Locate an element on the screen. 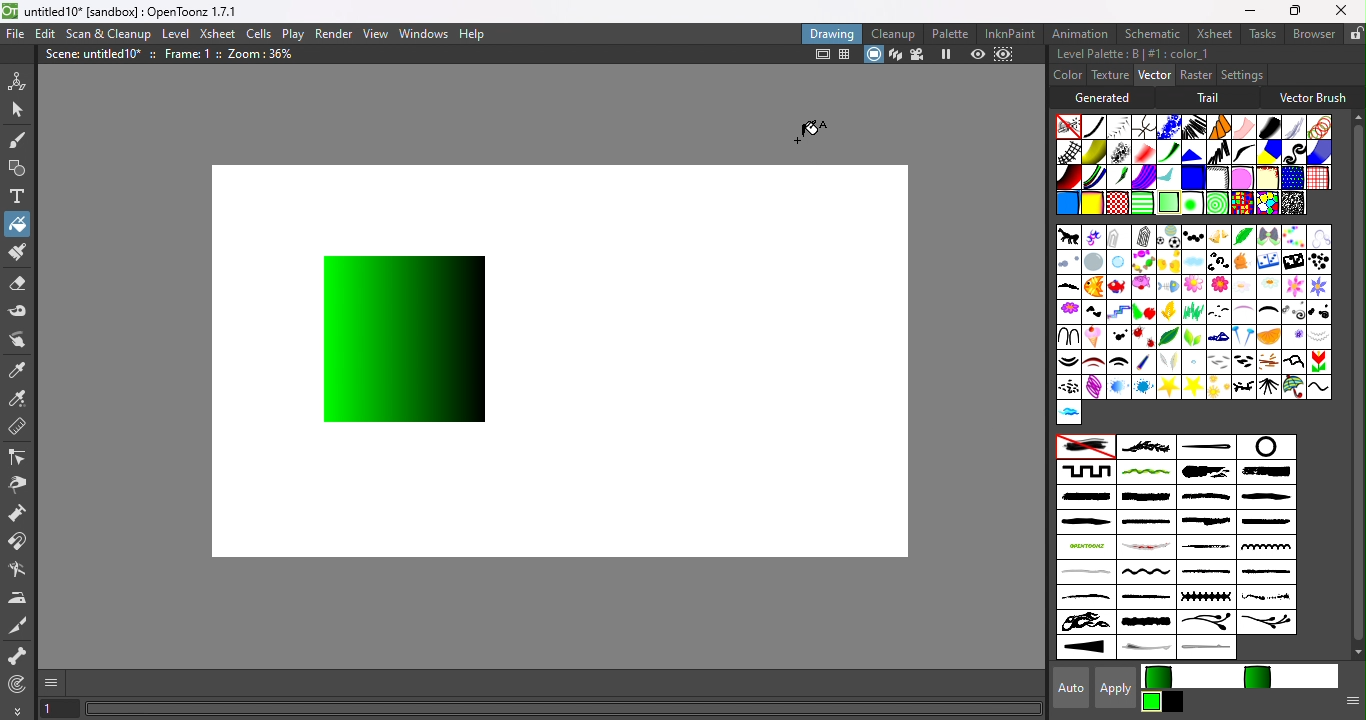 Image resolution: width=1366 pixels, height=720 pixels. 3D View is located at coordinates (893, 55).